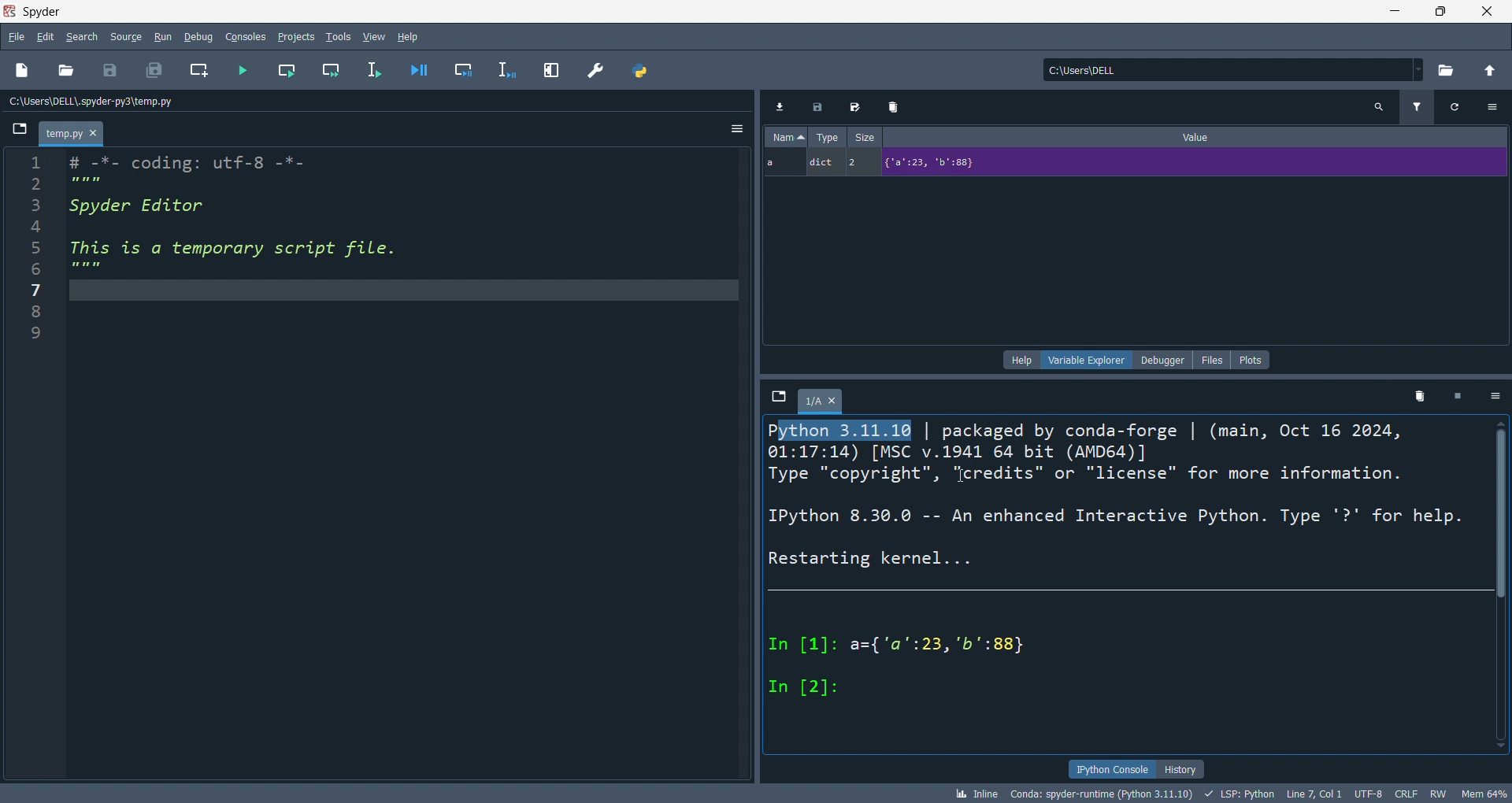  Describe the element at coordinates (1433, 13) in the screenshot. I see `maximize` at that location.